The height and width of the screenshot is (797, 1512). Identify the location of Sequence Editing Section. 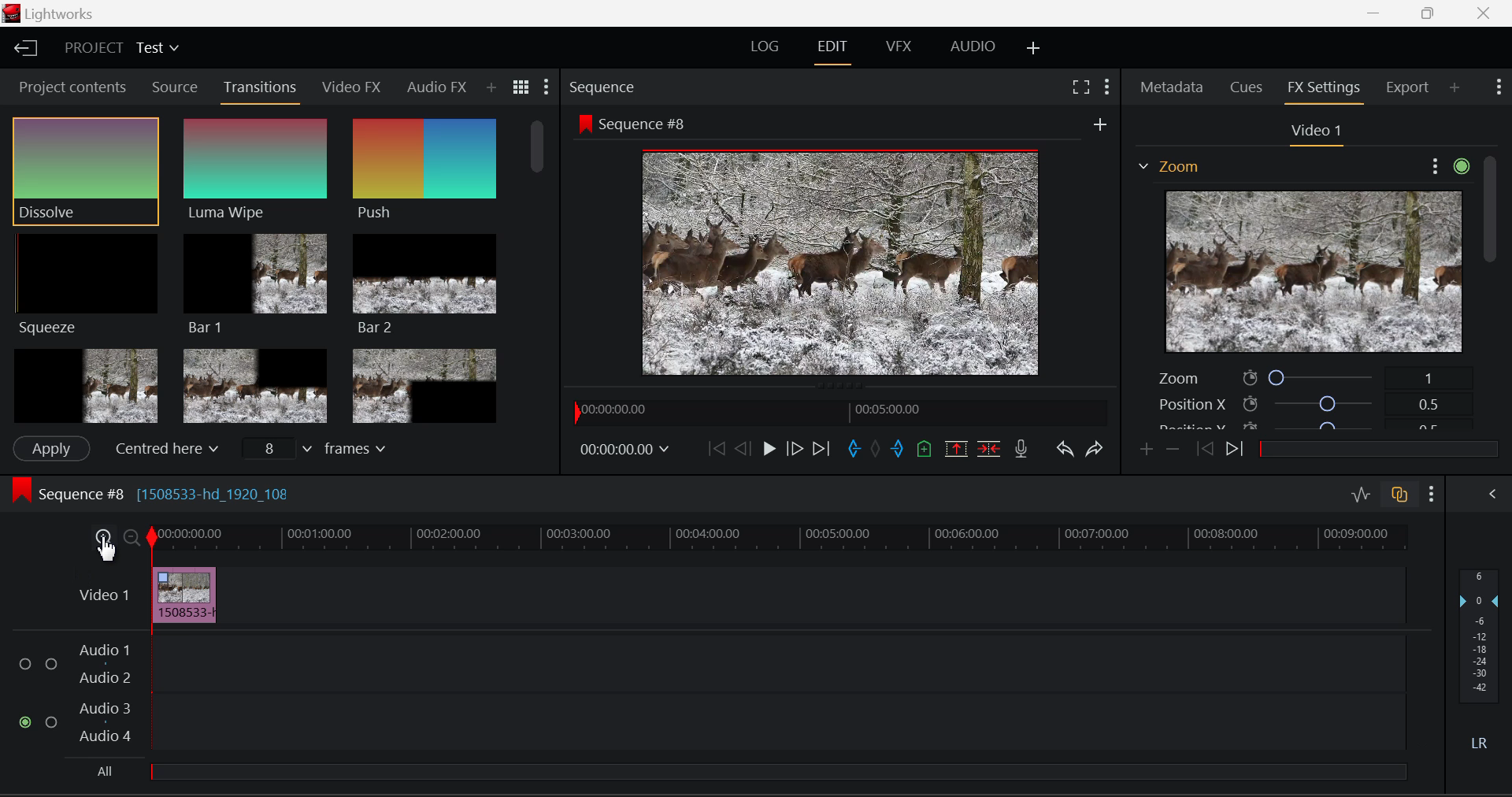
(66, 494).